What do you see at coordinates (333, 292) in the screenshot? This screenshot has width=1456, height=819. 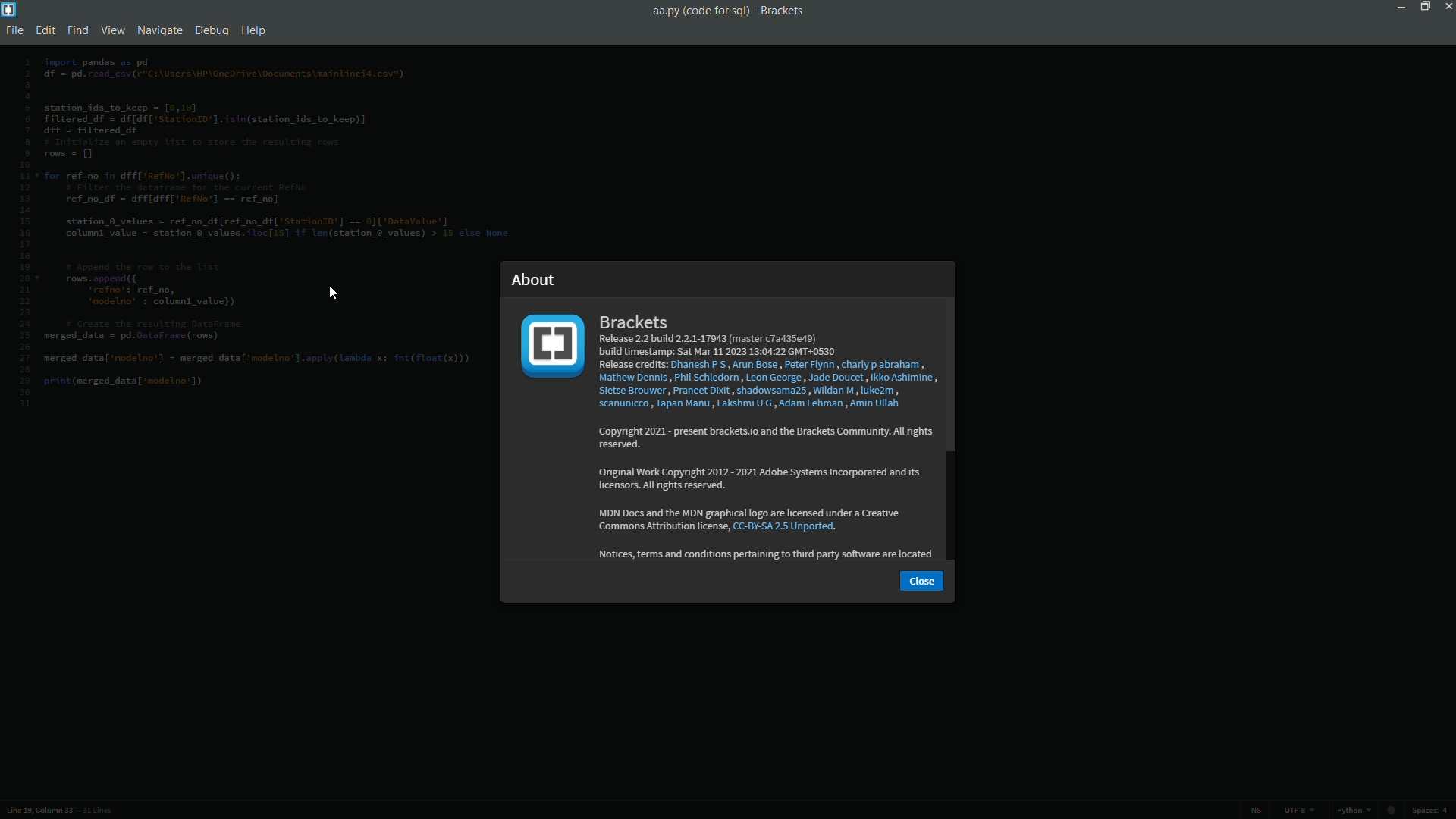 I see `cursor` at bounding box center [333, 292].